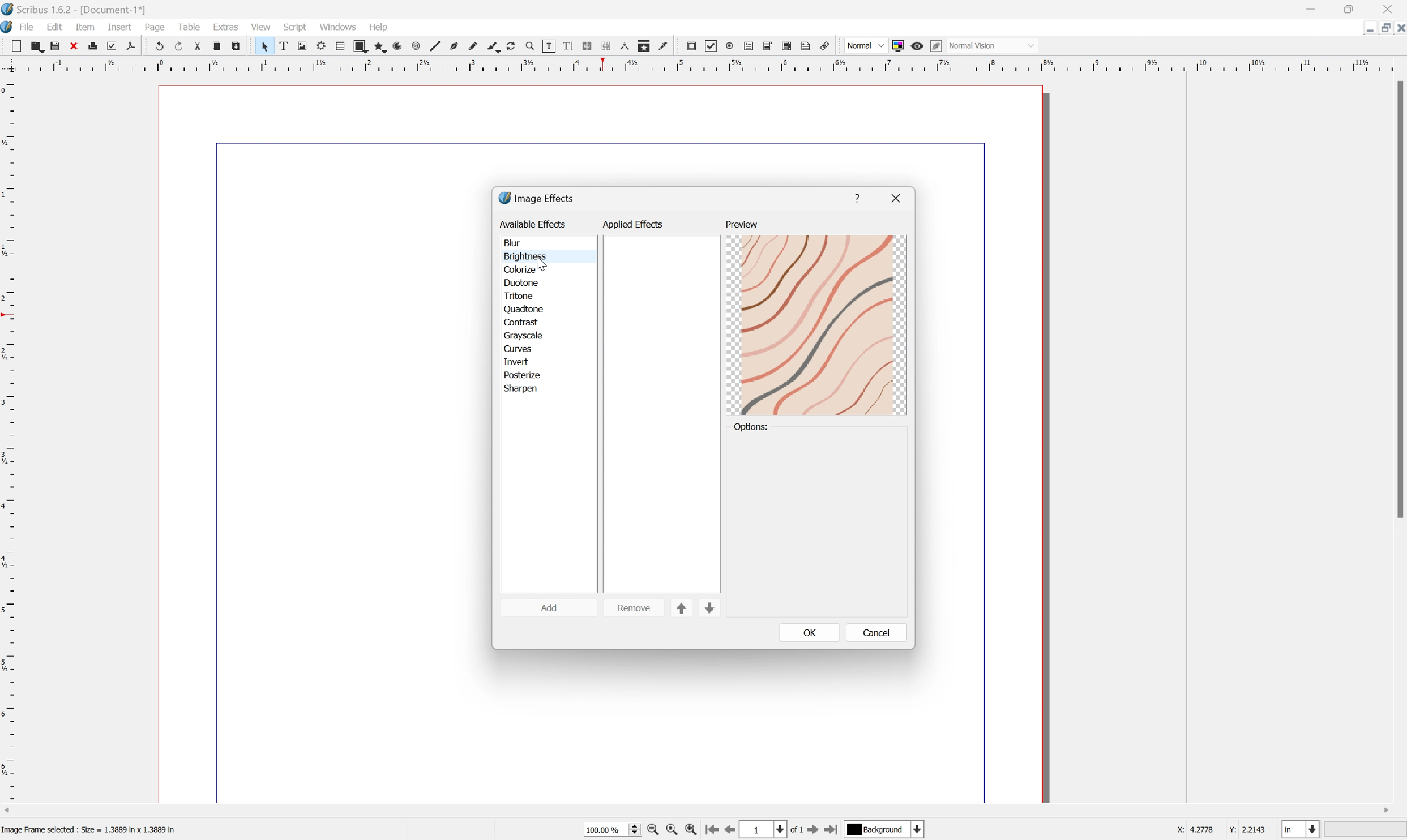 This screenshot has width=1407, height=840. I want to click on New, so click(12, 44).